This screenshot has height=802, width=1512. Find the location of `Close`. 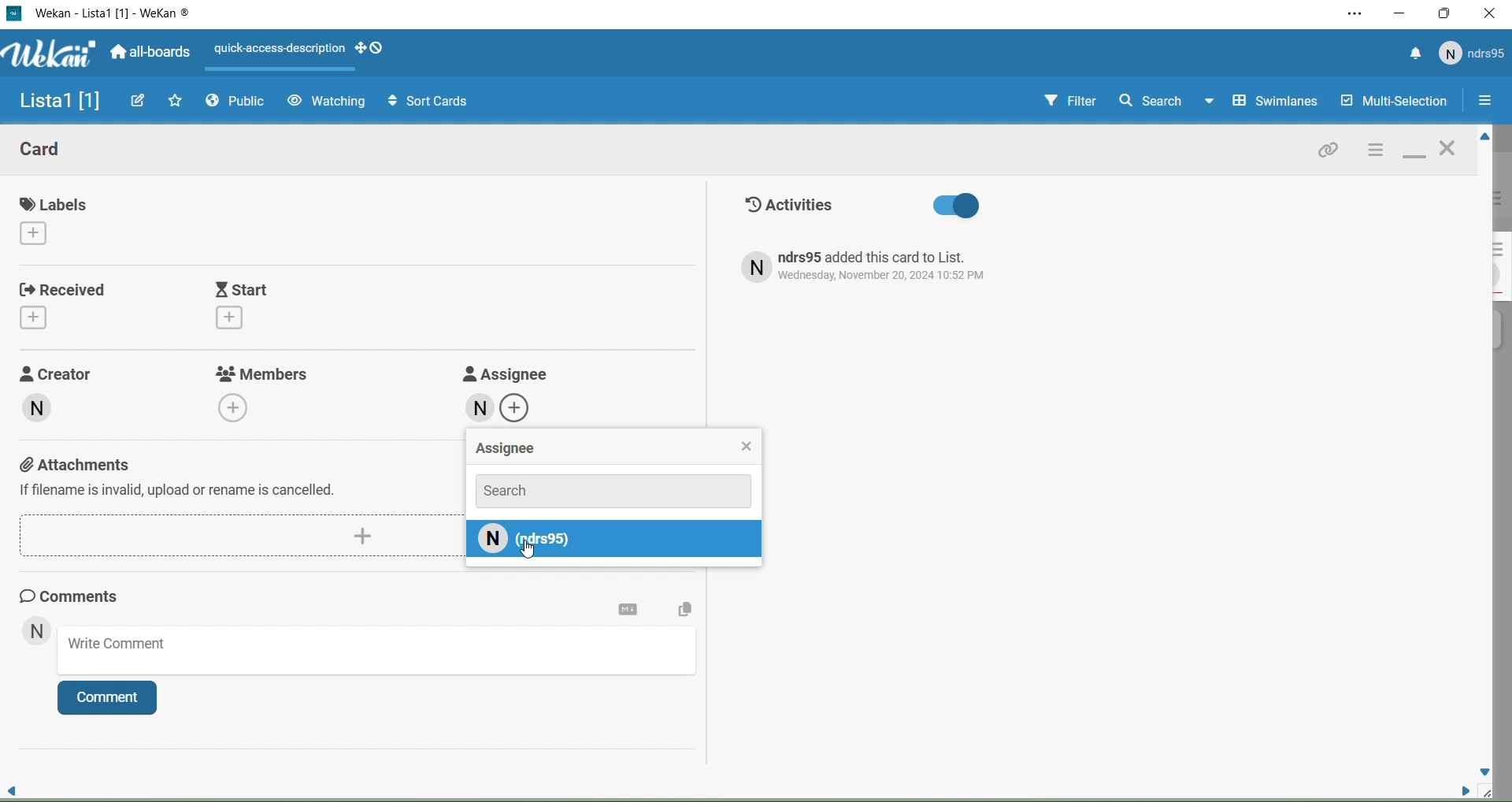

Close is located at coordinates (1490, 16).